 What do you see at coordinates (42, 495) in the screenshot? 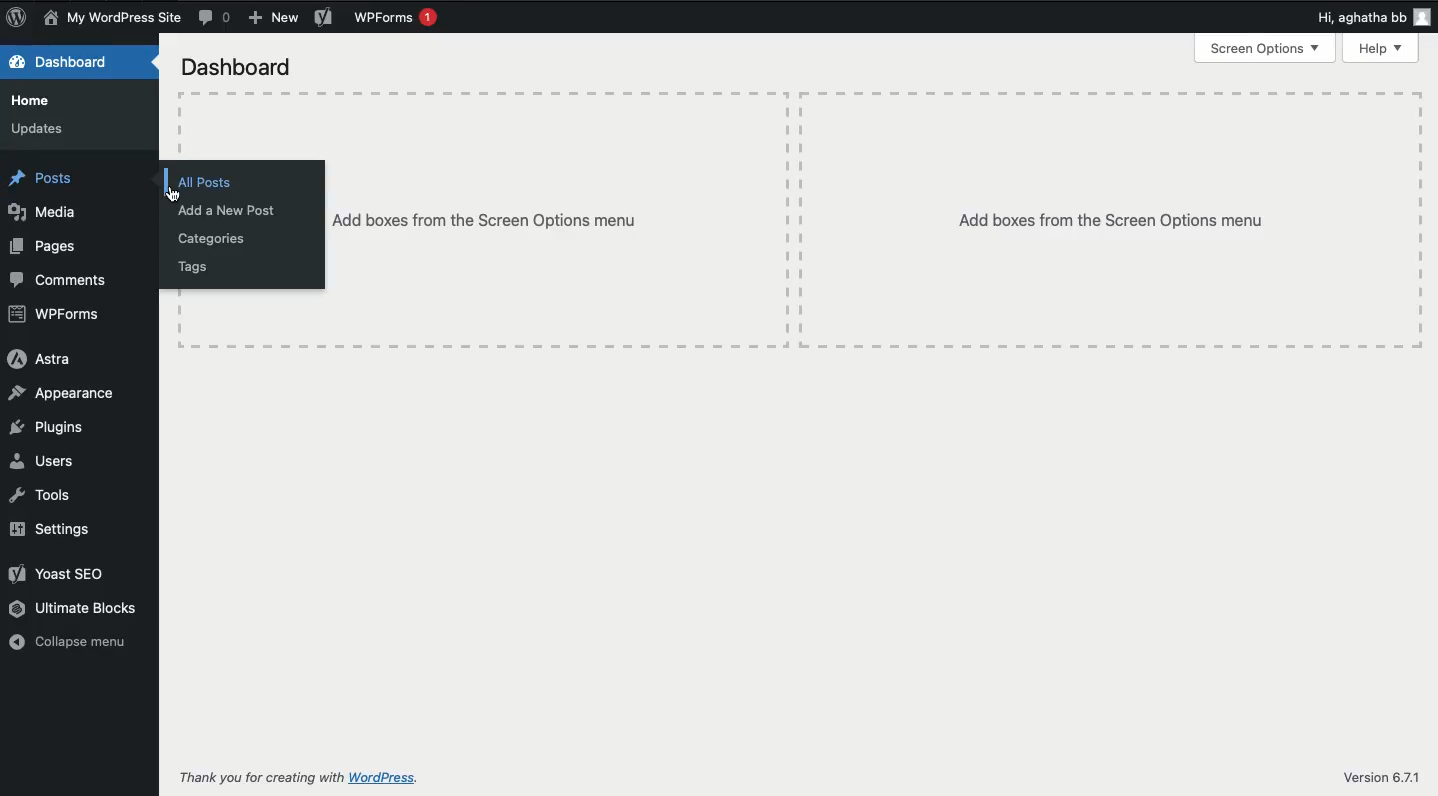
I see `Tools` at bounding box center [42, 495].